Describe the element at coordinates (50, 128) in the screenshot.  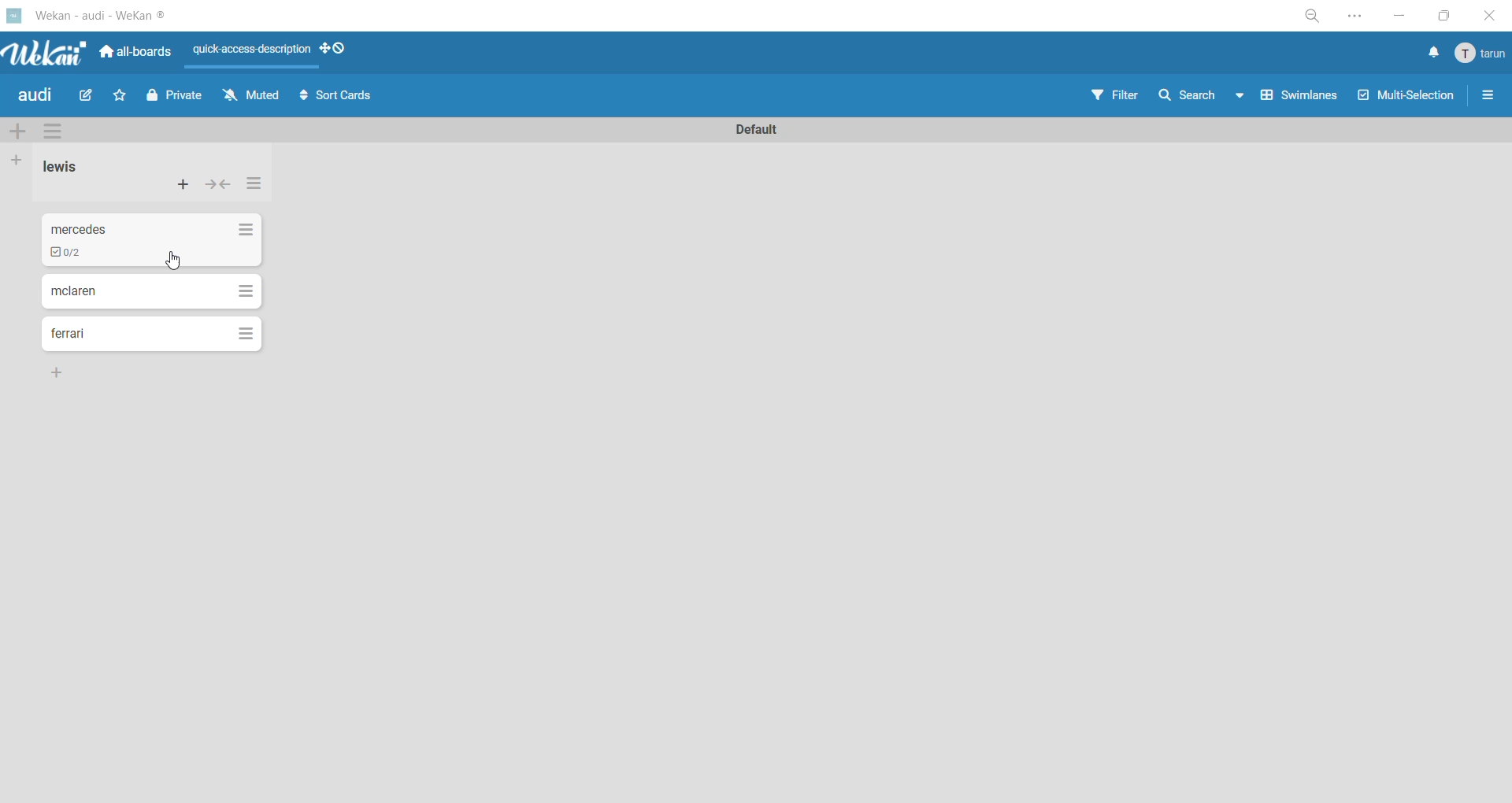
I see `swimlane actions` at that location.